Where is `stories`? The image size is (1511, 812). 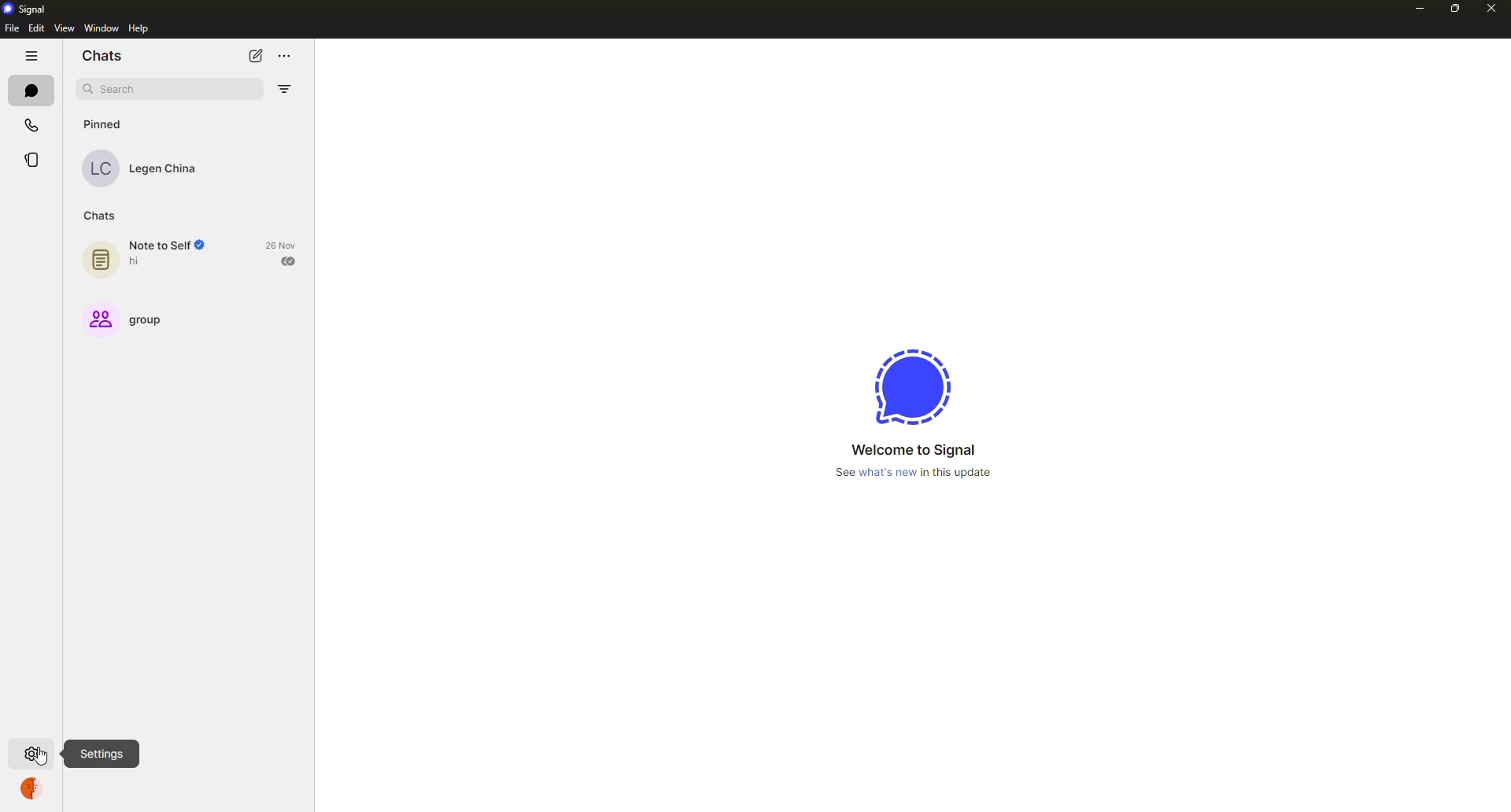 stories is located at coordinates (34, 160).